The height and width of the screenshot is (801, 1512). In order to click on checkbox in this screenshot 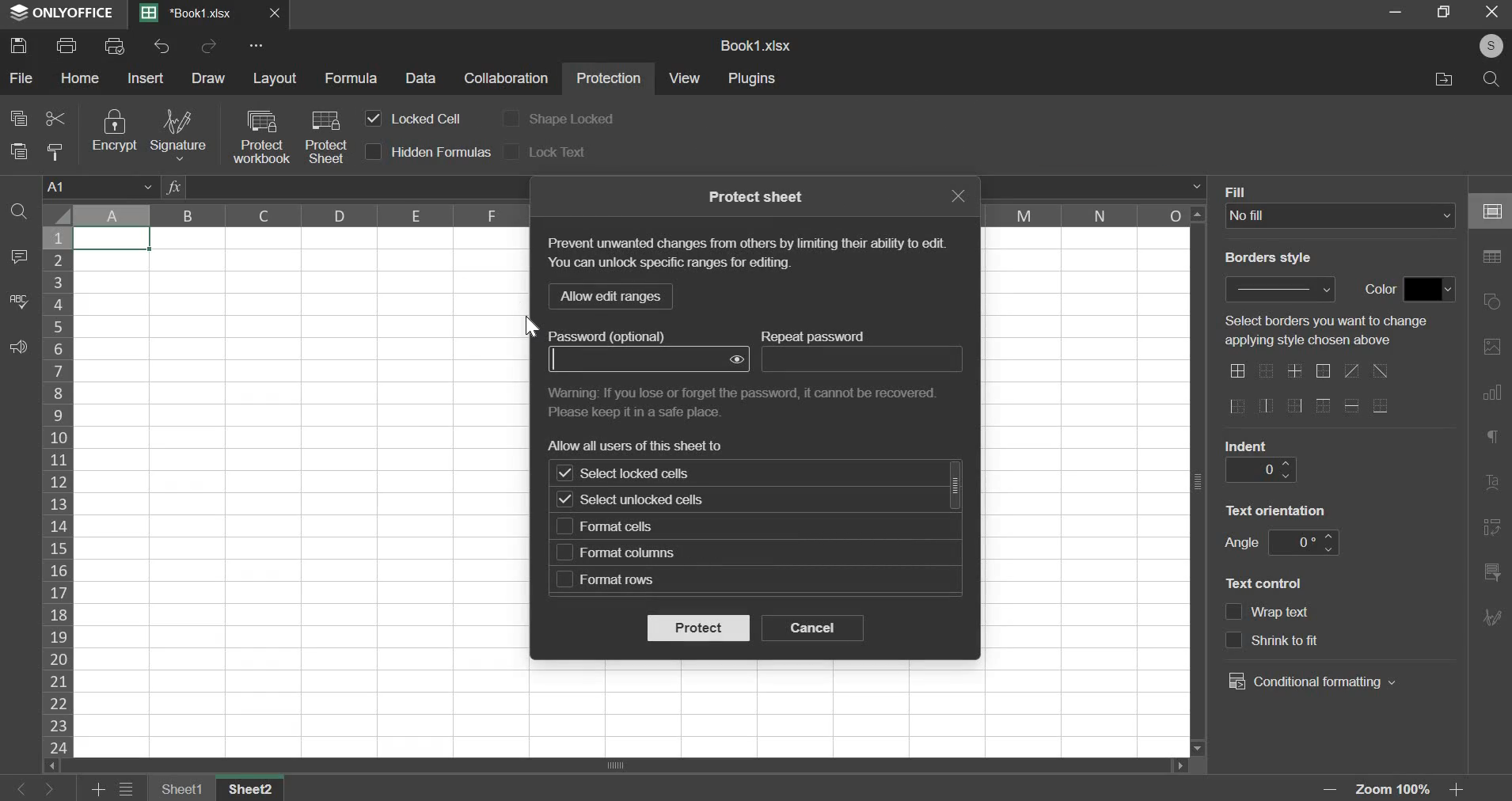, I will do `click(514, 150)`.